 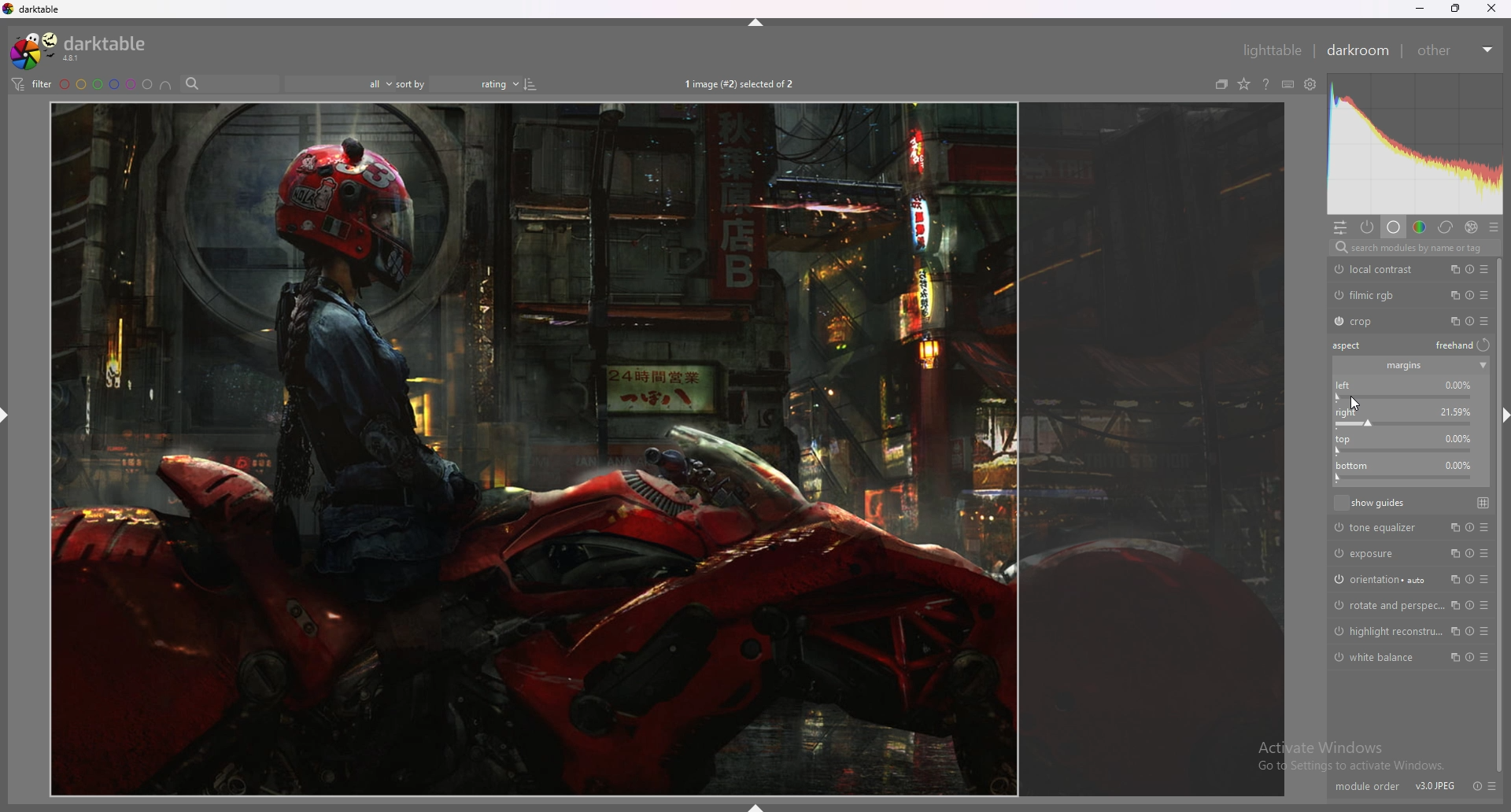 I want to click on module order, so click(x=1367, y=778).